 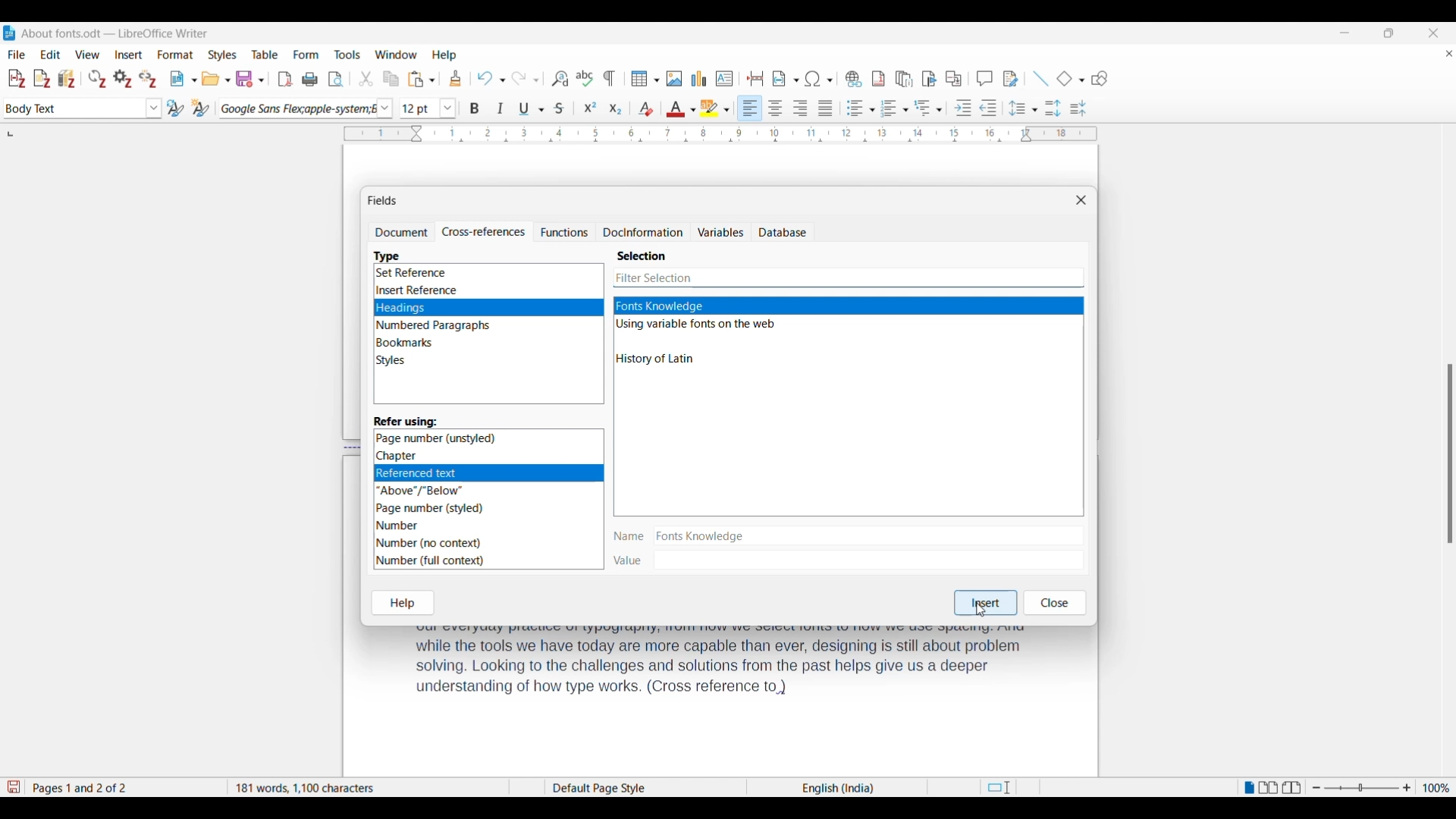 What do you see at coordinates (564, 231) in the screenshot?
I see `Functions` at bounding box center [564, 231].